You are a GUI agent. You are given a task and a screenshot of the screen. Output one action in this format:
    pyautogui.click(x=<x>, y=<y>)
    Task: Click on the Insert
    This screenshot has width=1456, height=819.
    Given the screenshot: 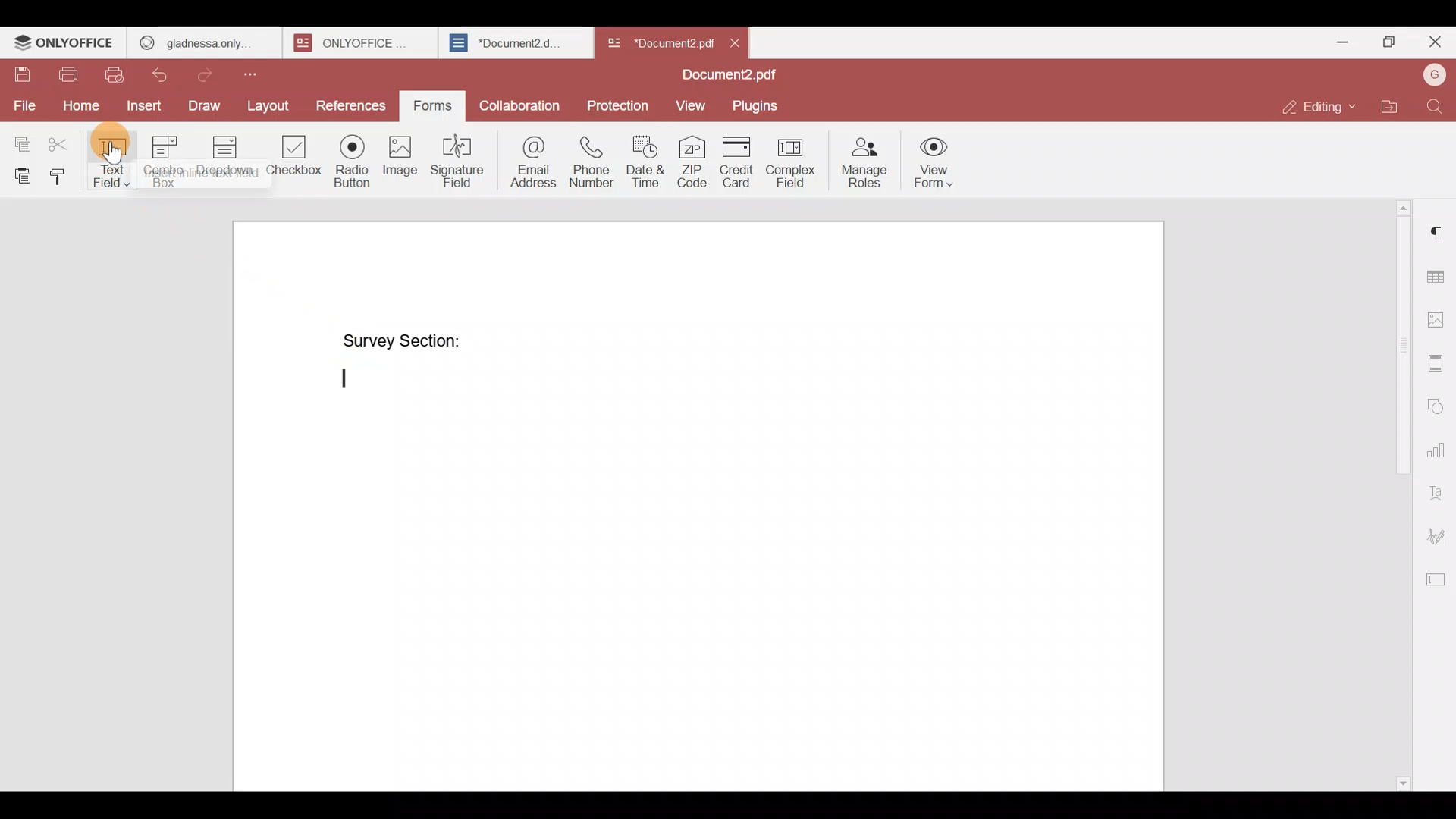 What is the action you would take?
    pyautogui.click(x=144, y=109)
    